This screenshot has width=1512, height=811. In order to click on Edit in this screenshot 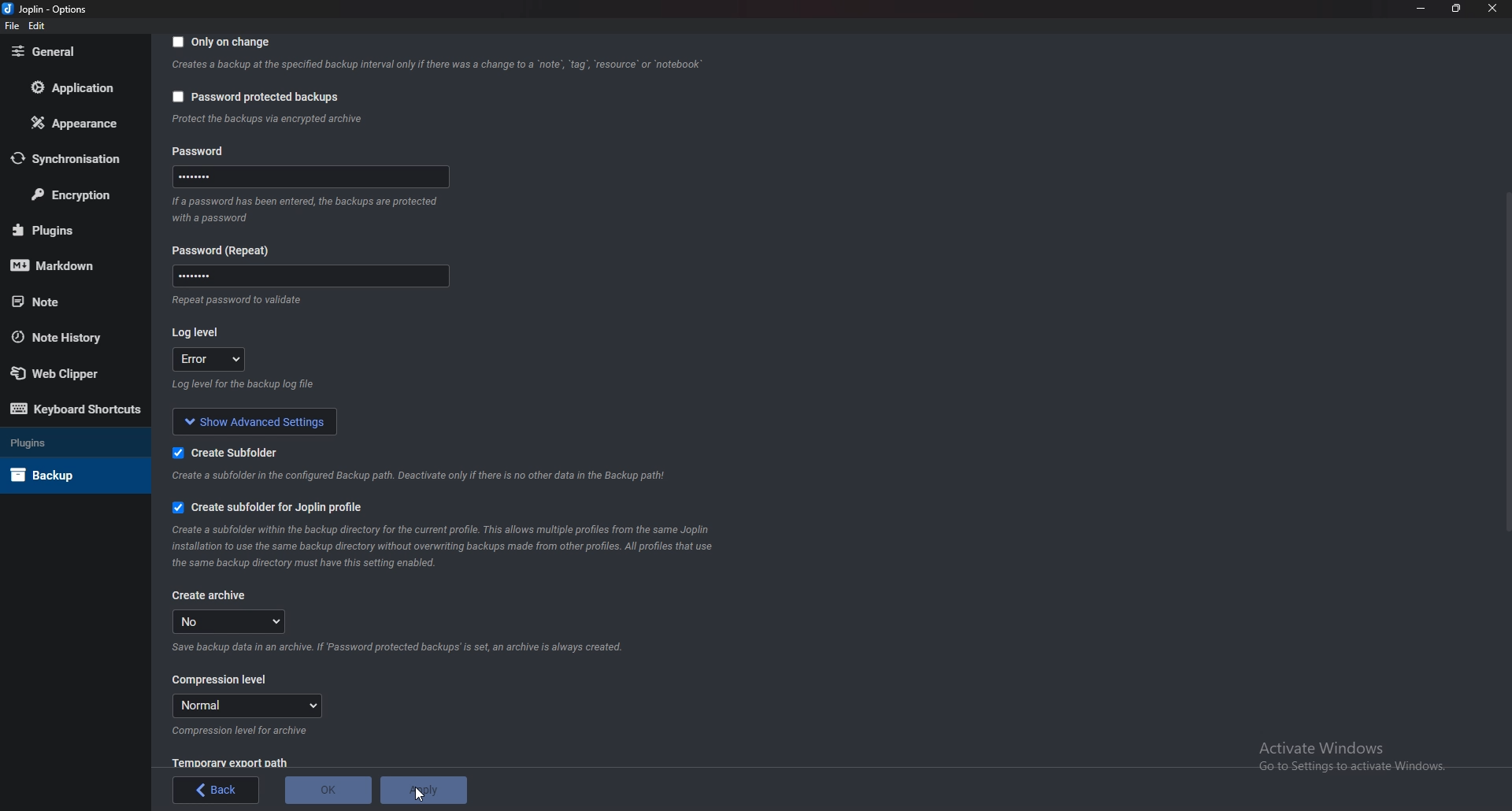, I will do `click(38, 26)`.